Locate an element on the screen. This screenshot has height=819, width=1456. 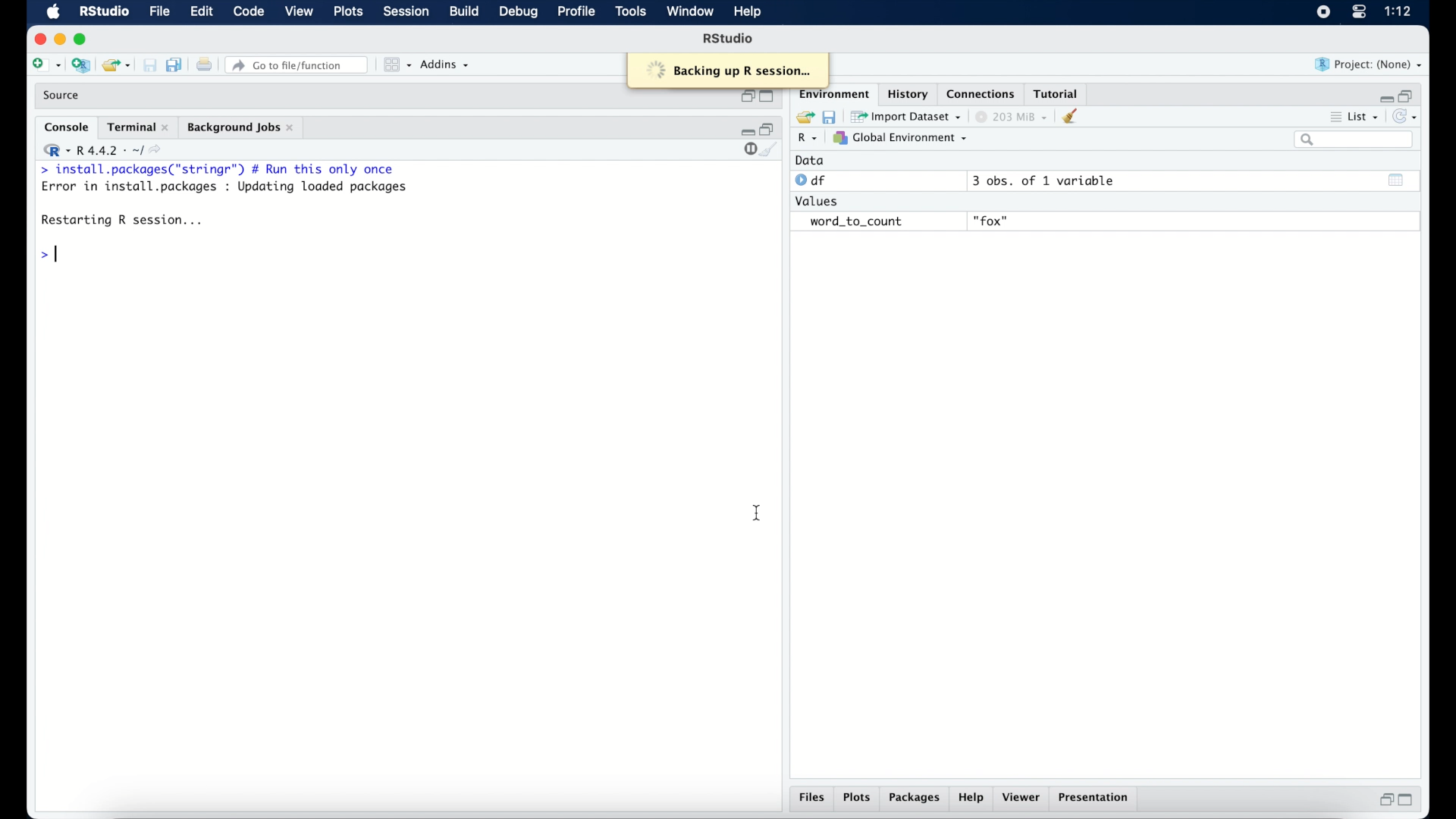
maximize is located at coordinates (769, 100).